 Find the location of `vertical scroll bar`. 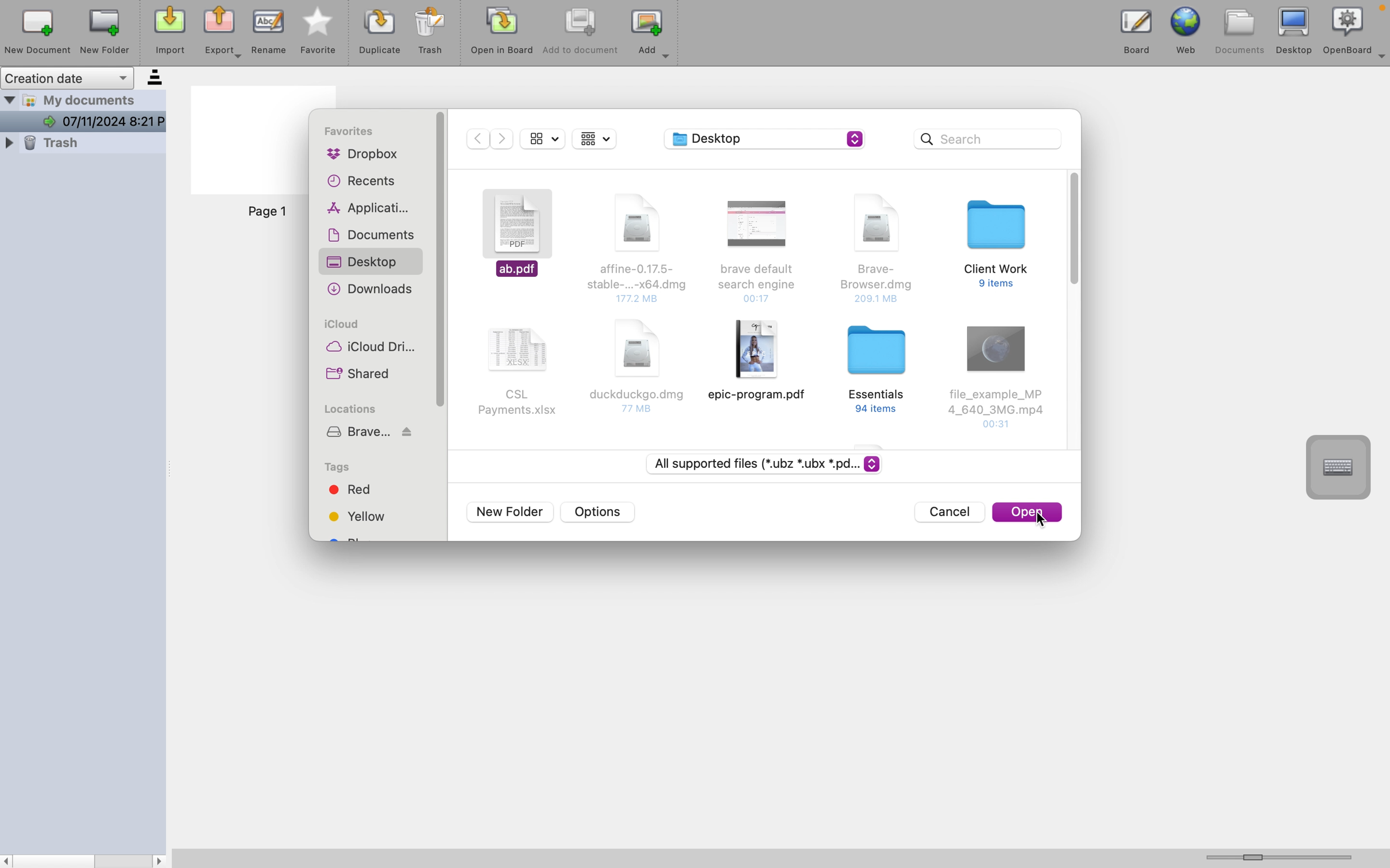

vertical scroll bar is located at coordinates (1074, 227).